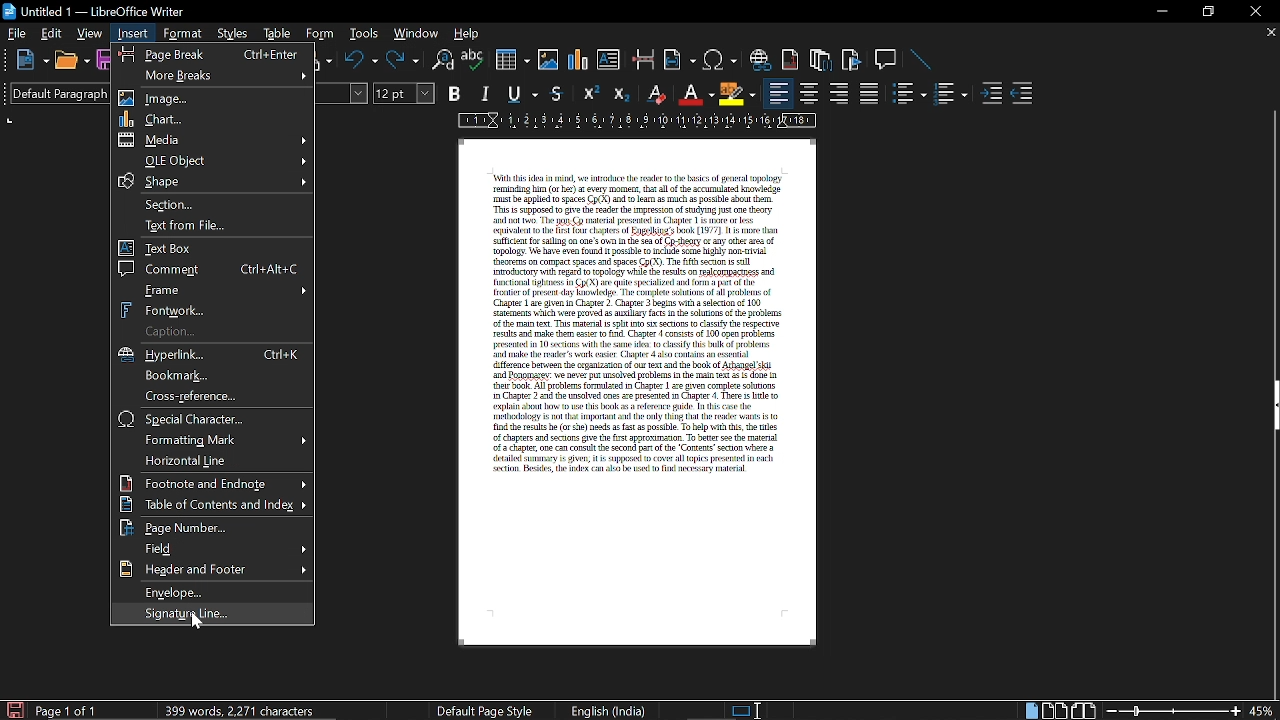 Image resolution: width=1280 pixels, height=720 pixels. What do you see at coordinates (623, 93) in the screenshot?
I see `subscript` at bounding box center [623, 93].